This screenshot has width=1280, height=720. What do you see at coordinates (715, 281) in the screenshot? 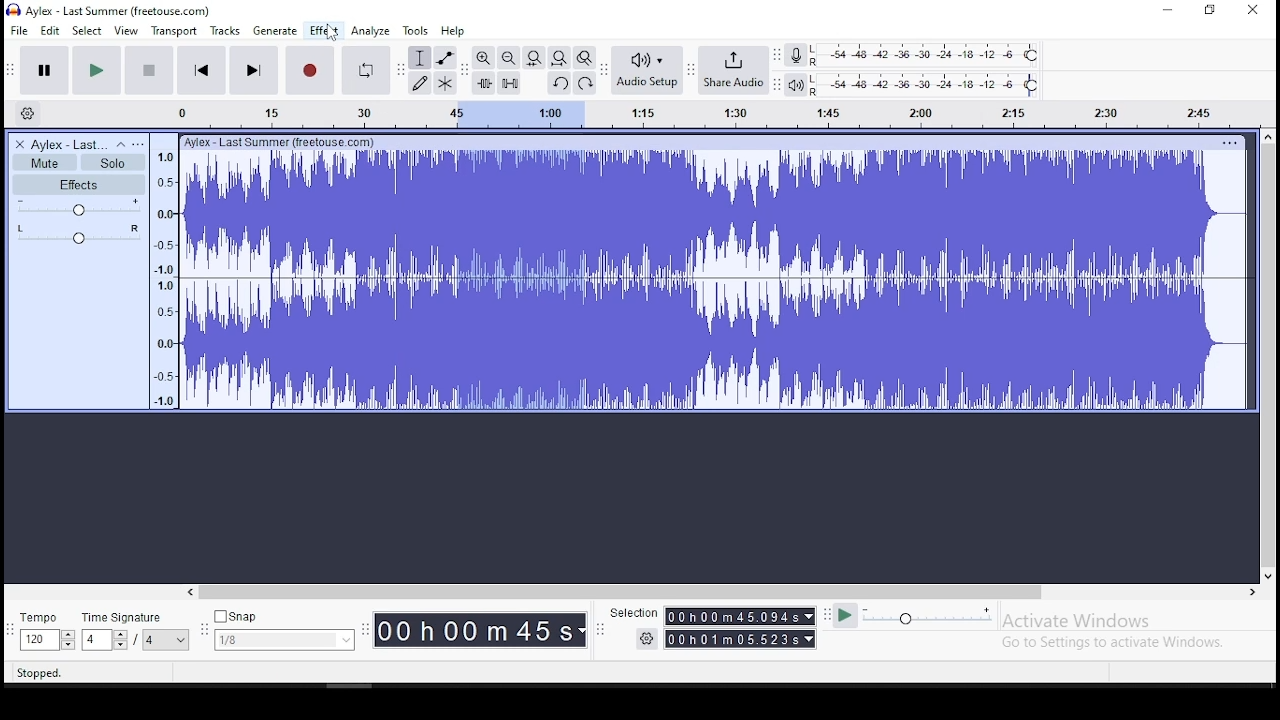
I see `audio track` at bounding box center [715, 281].